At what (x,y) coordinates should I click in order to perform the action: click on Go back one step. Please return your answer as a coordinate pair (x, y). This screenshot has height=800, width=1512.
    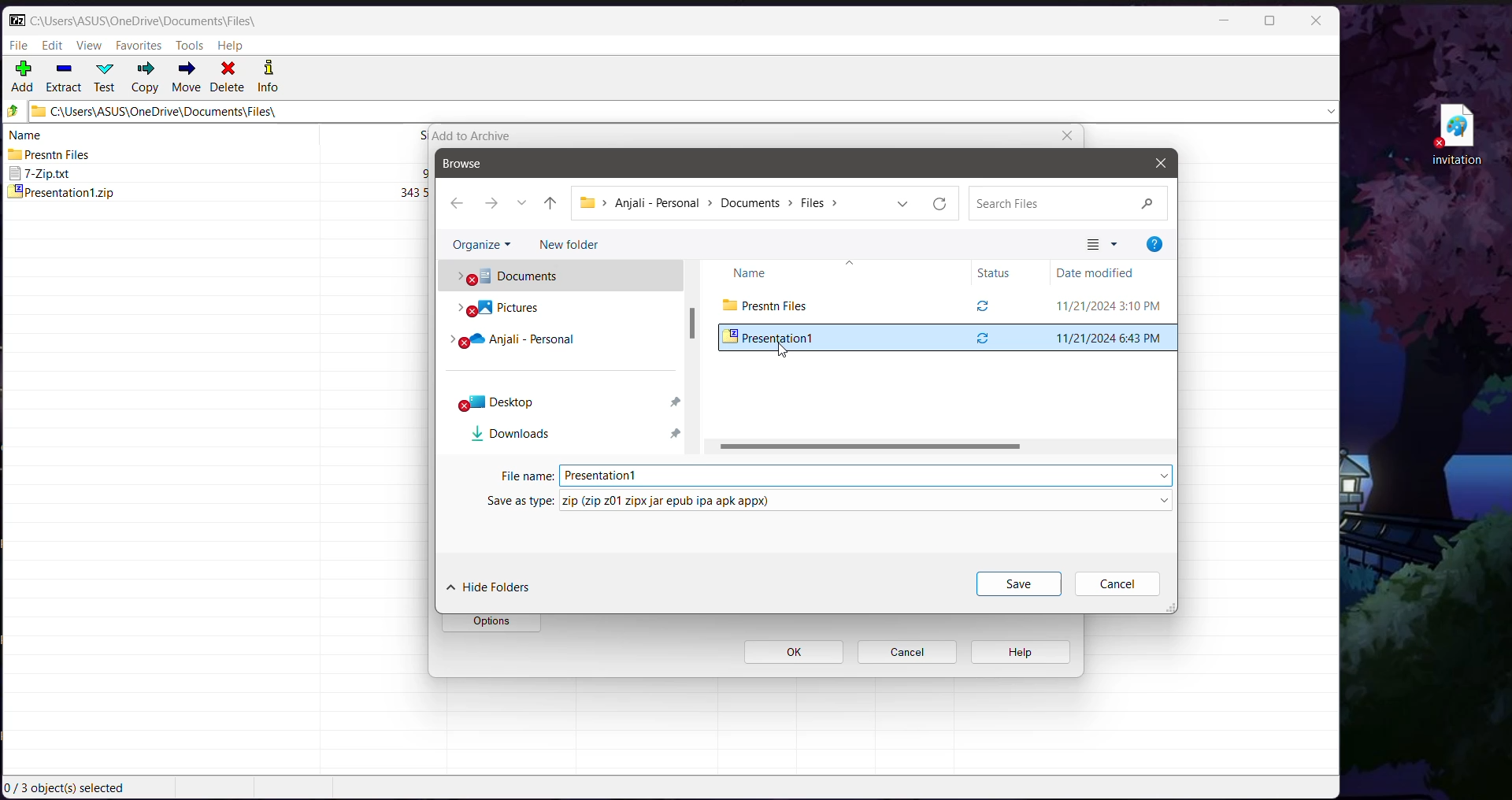
    Looking at the image, I should click on (454, 205).